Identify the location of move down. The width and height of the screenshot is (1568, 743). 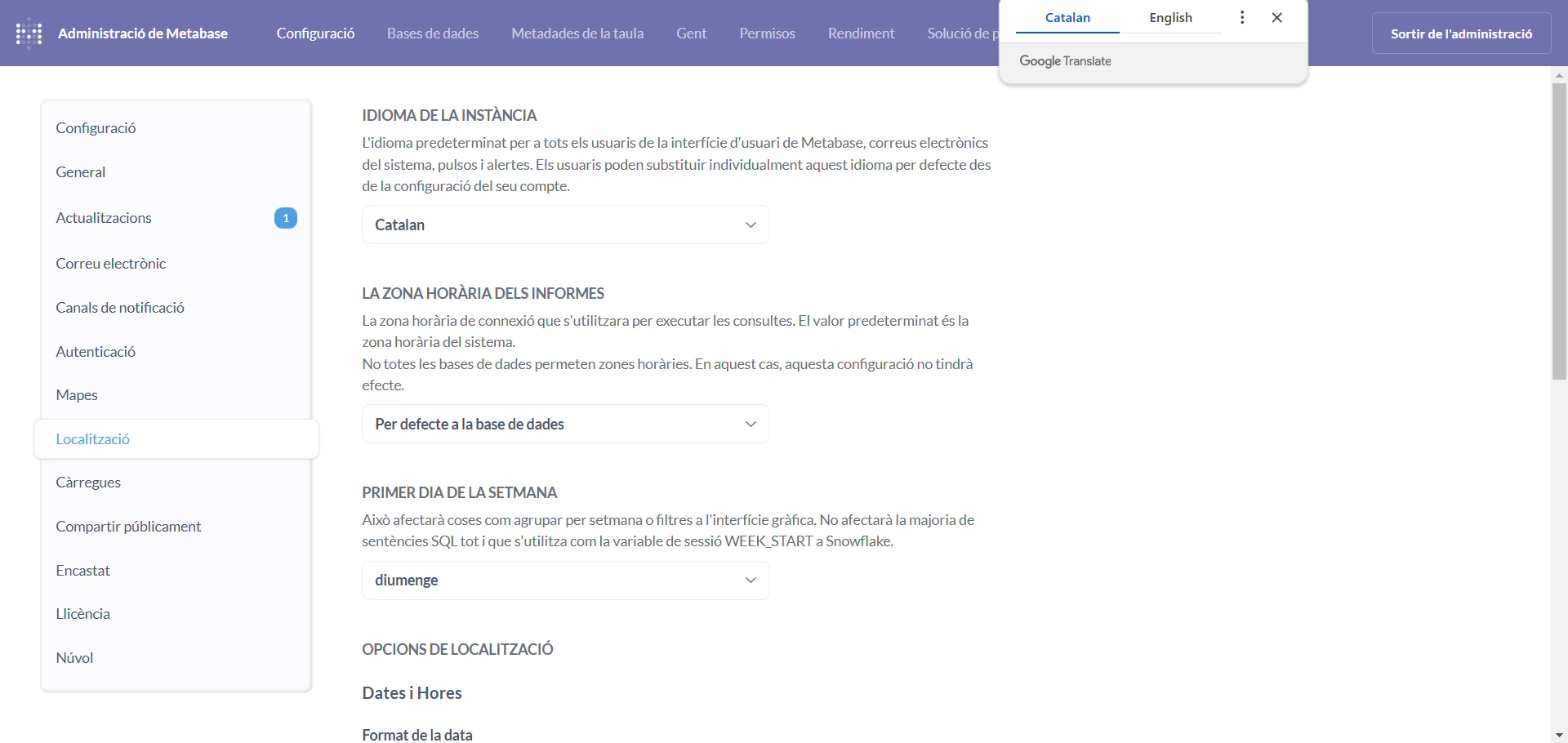
(1558, 736).